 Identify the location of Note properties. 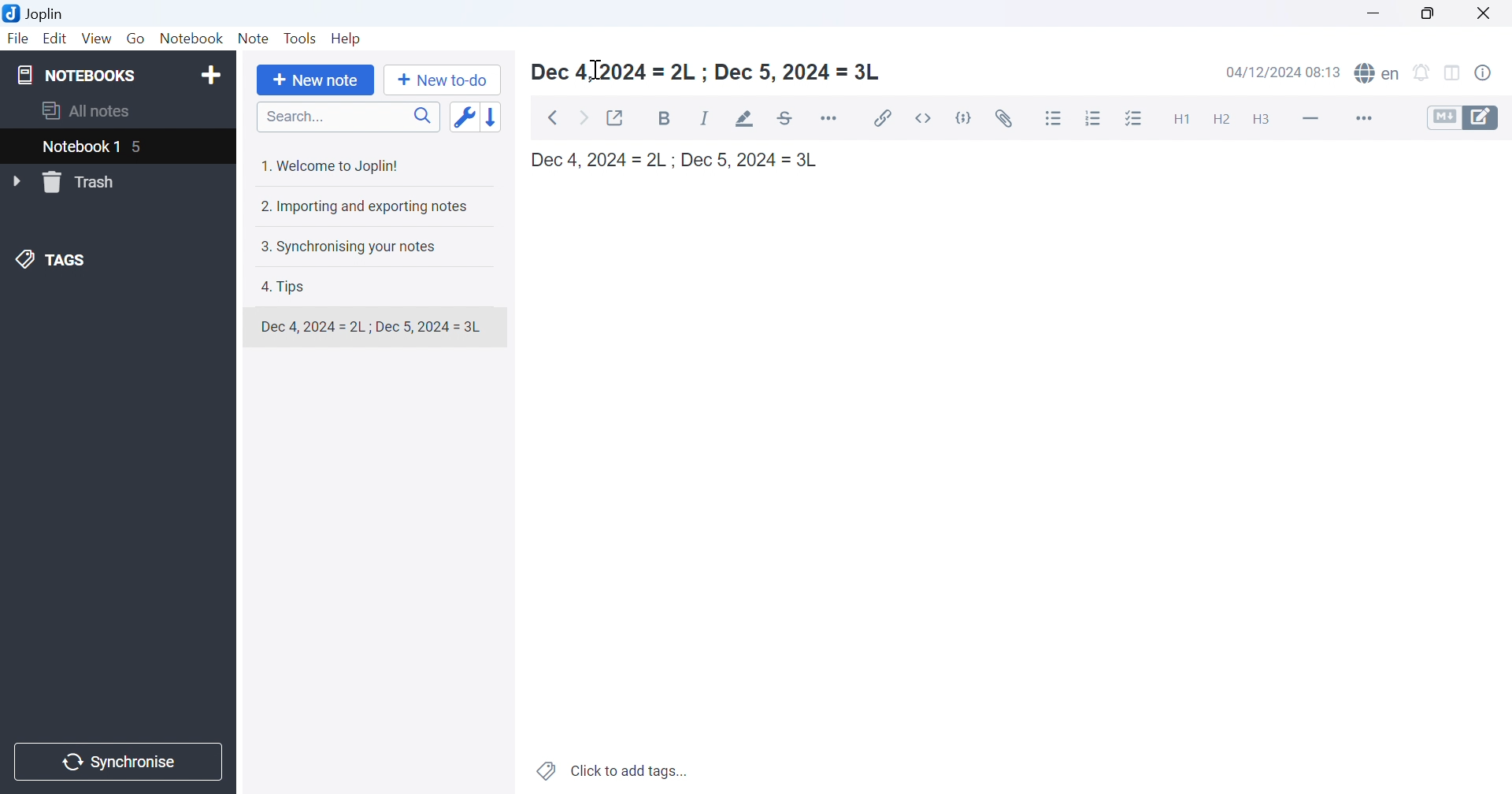
(1492, 72).